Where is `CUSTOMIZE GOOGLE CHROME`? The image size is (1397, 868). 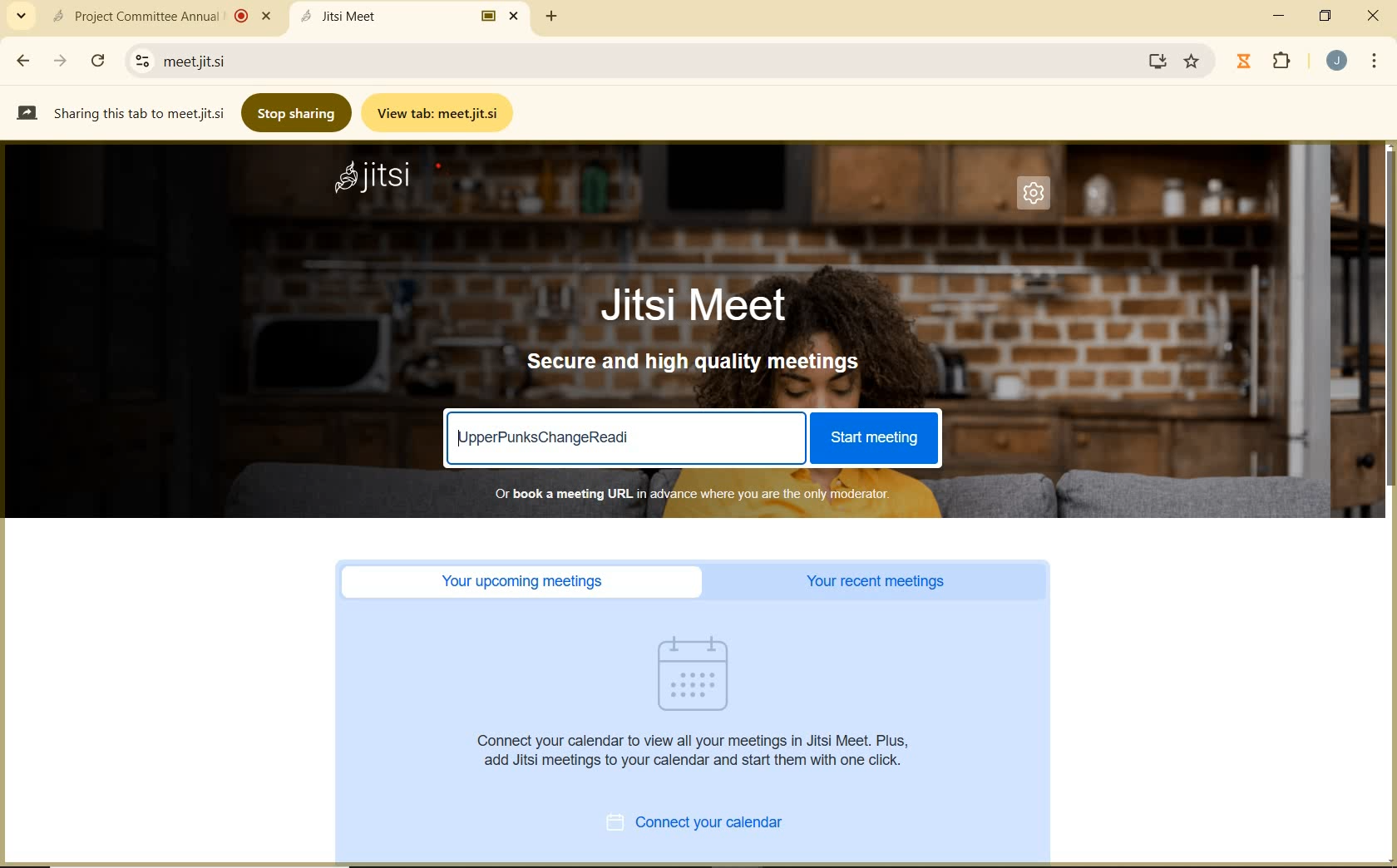
CUSTOMIZE GOOGLE CHROME is located at coordinates (1375, 62).